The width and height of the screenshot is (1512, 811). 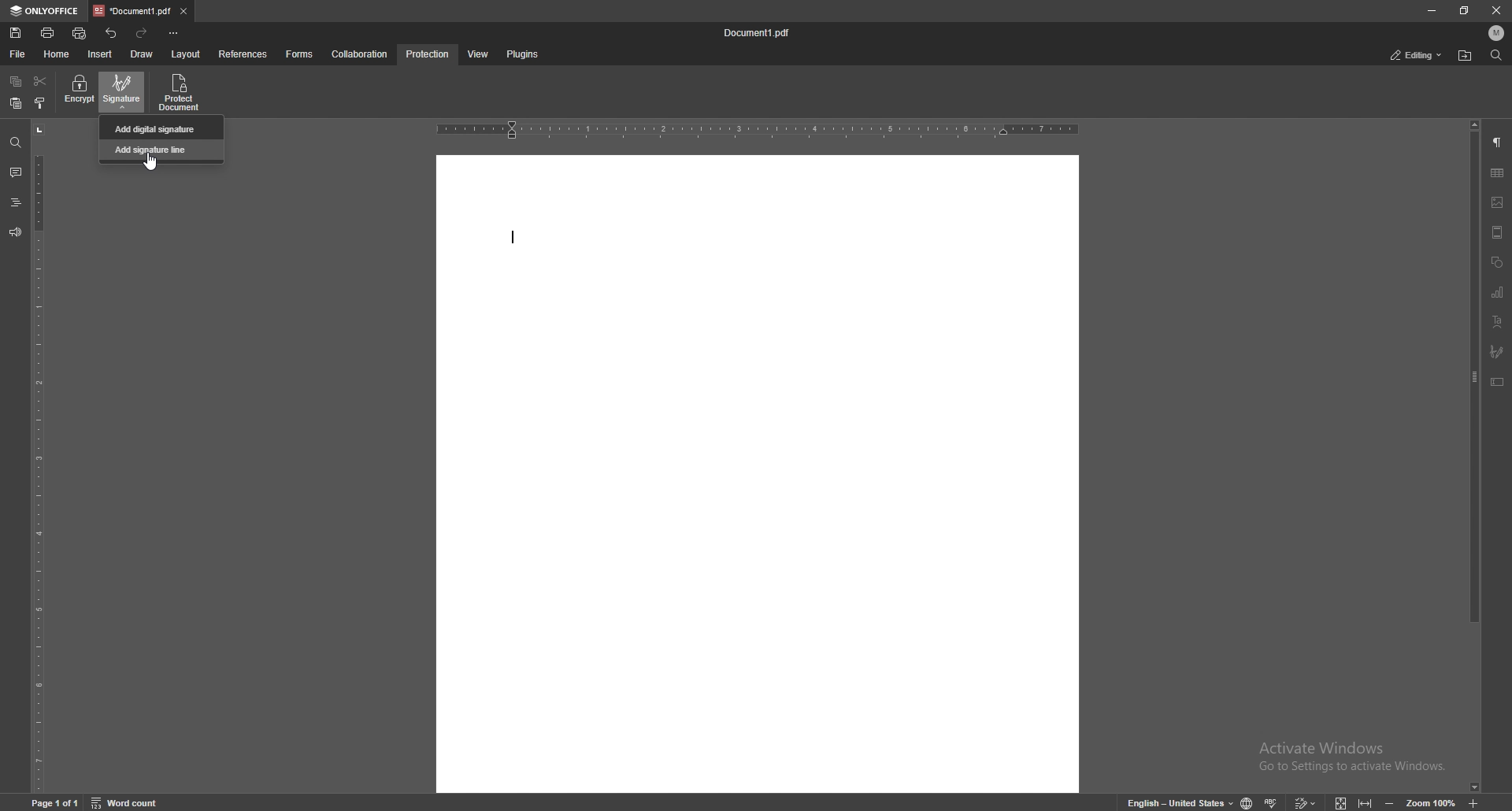 What do you see at coordinates (162, 128) in the screenshot?
I see `add digital signature` at bounding box center [162, 128].